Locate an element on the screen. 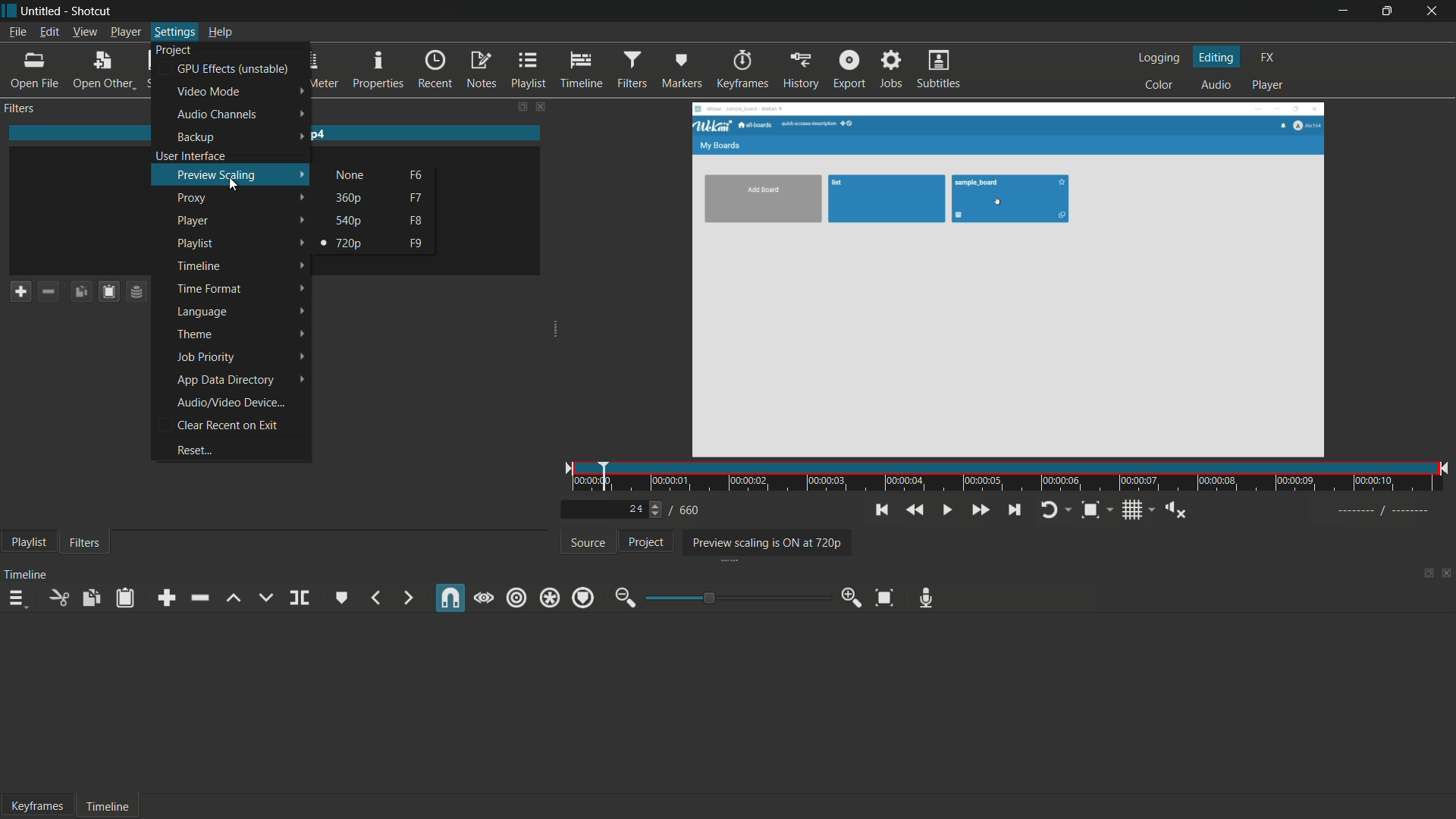 The height and width of the screenshot is (819, 1456). copy is located at coordinates (93, 597).